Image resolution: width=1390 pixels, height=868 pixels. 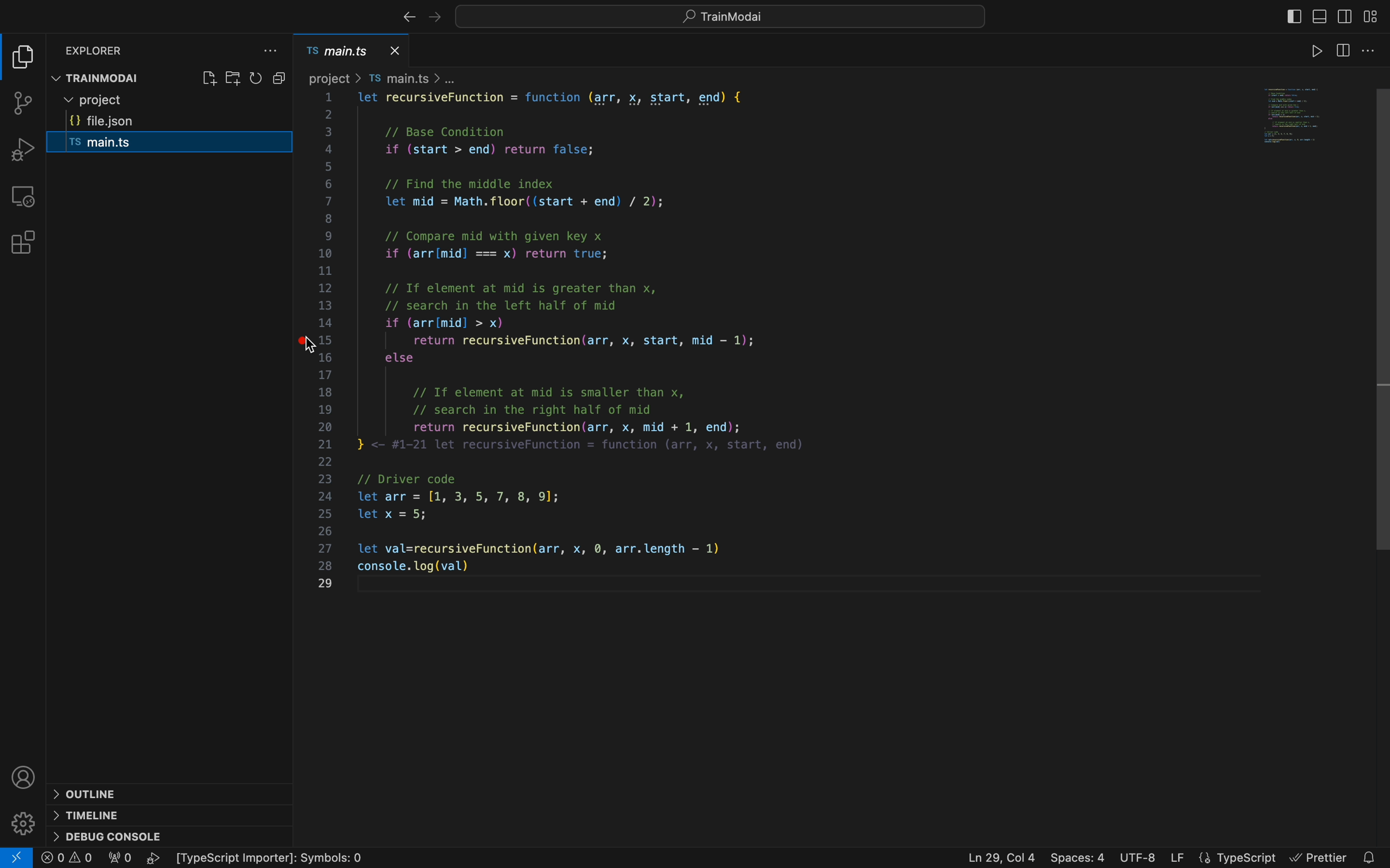 What do you see at coordinates (1371, 857) in the screenshot?
I see `notification` at bounding box center [1371, 857].